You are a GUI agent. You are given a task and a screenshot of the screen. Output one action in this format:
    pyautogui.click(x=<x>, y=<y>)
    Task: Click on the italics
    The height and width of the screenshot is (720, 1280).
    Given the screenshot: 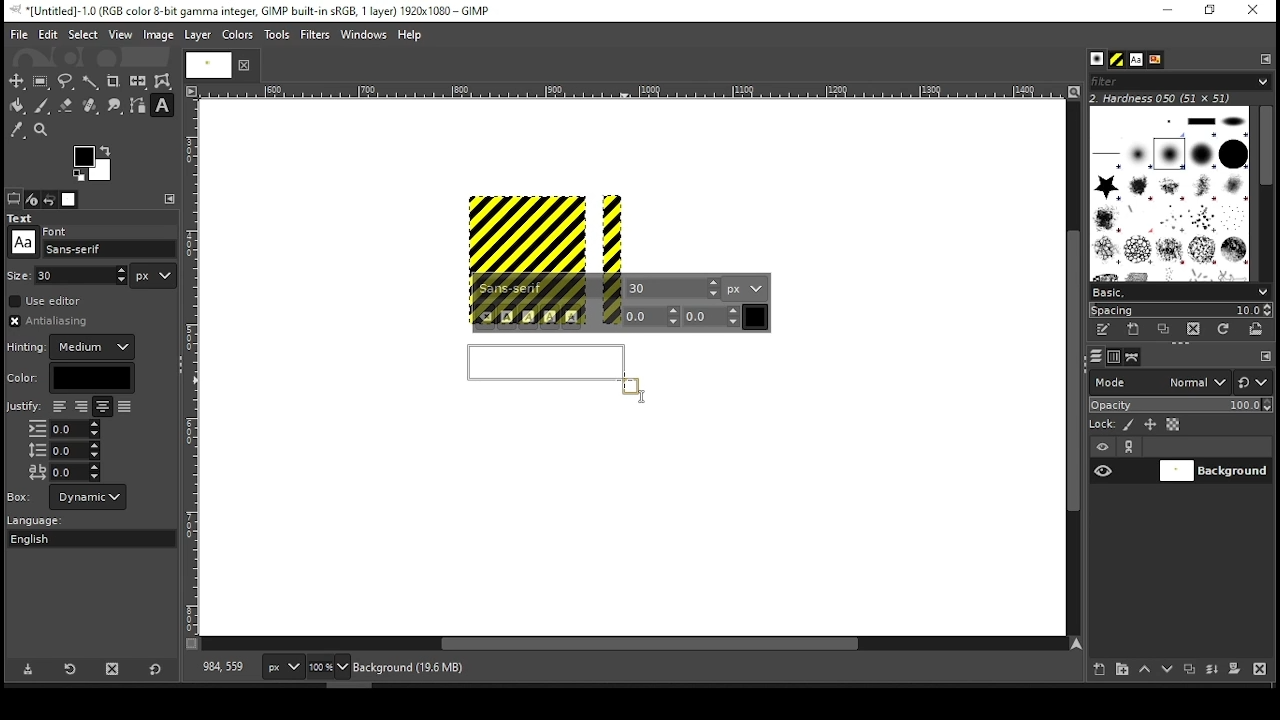 What is the action you would take?
    pyautogui.click(x=528, y=317)
    